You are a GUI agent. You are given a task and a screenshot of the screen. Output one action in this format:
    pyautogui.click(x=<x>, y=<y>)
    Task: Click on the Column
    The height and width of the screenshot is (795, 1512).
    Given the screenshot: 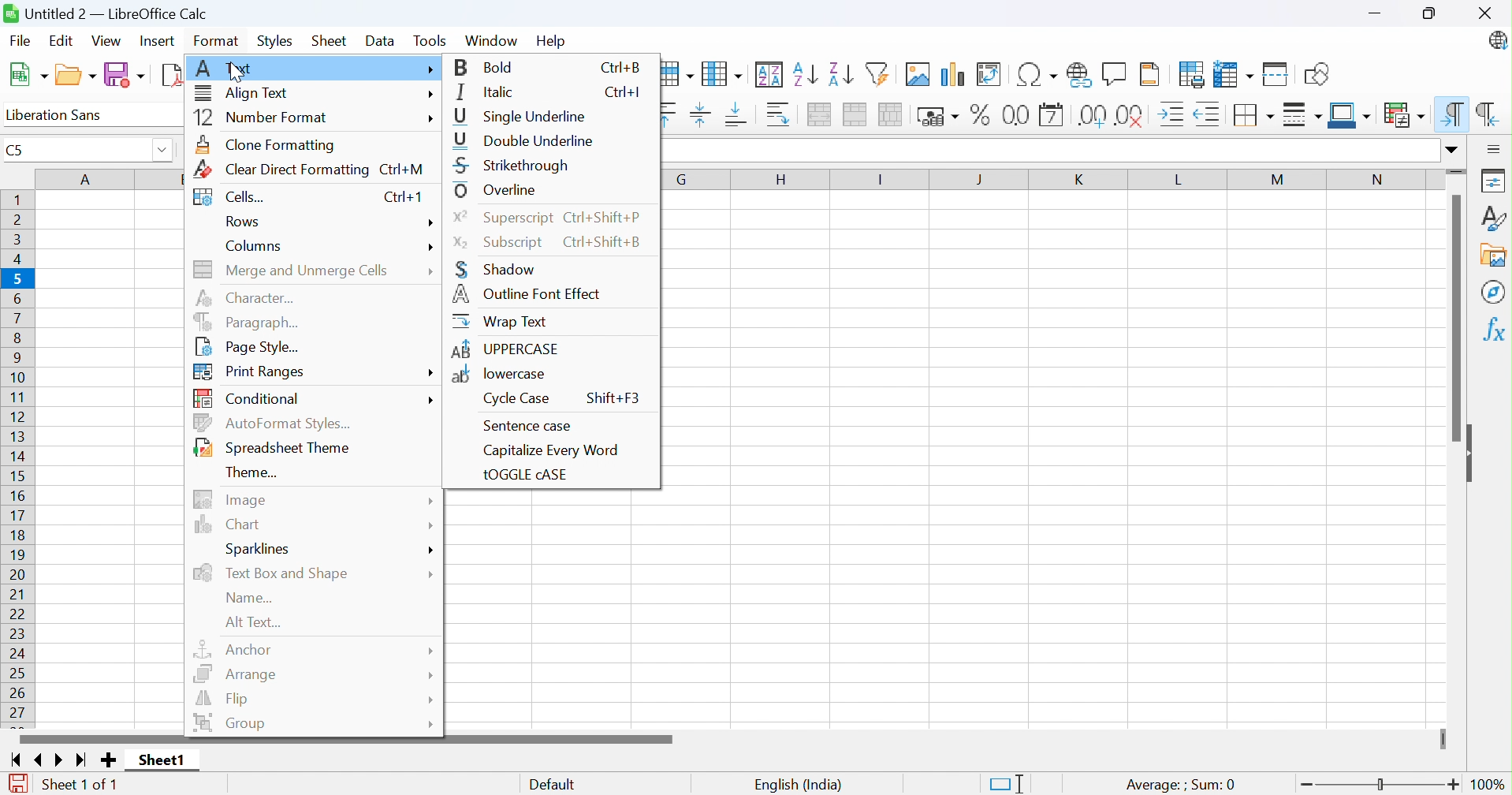 What is the action you would take?
    pyautogui.click(x=723, y=73)
    